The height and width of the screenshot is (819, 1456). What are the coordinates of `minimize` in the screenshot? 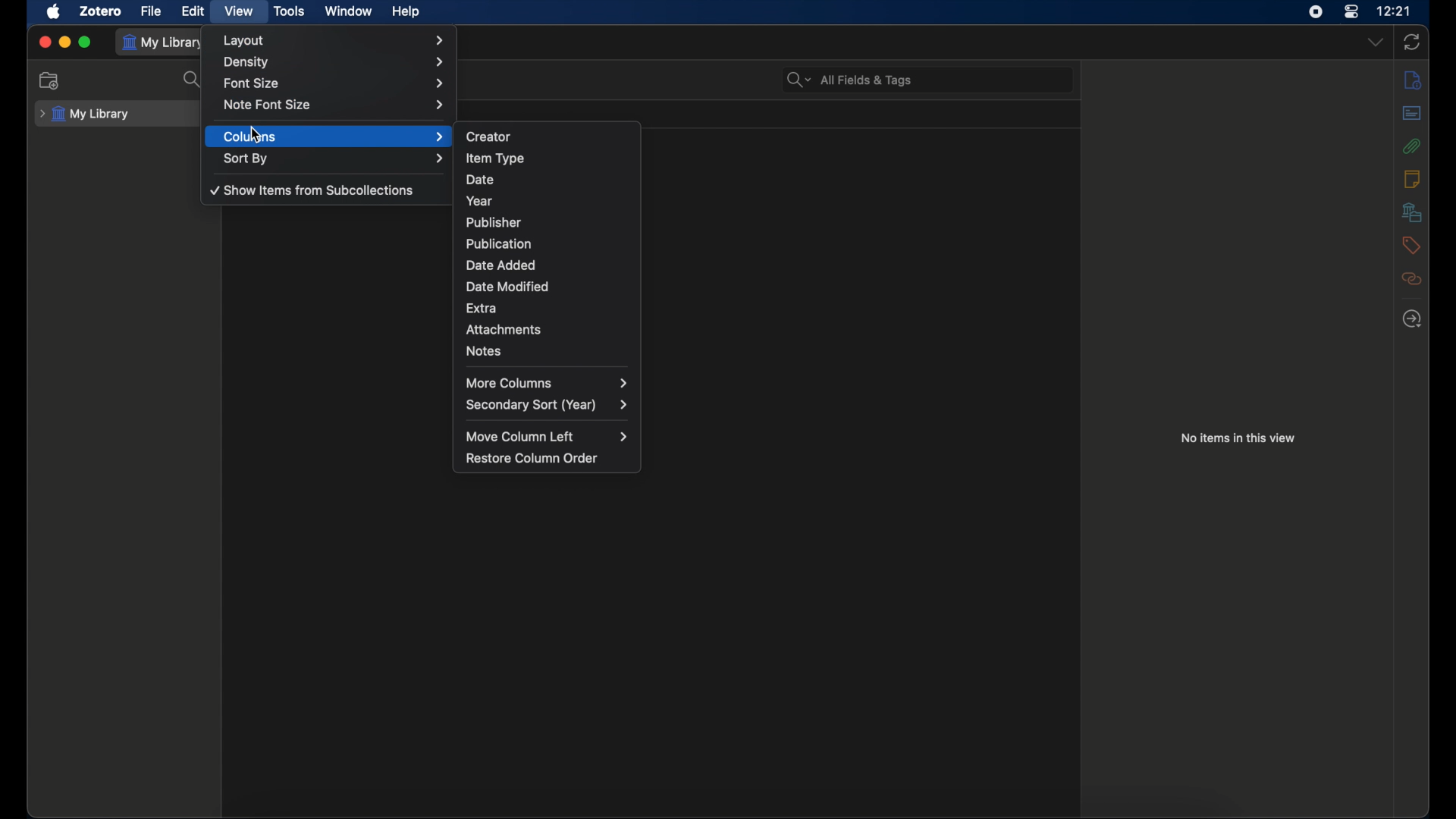 It's located at (65, 42).